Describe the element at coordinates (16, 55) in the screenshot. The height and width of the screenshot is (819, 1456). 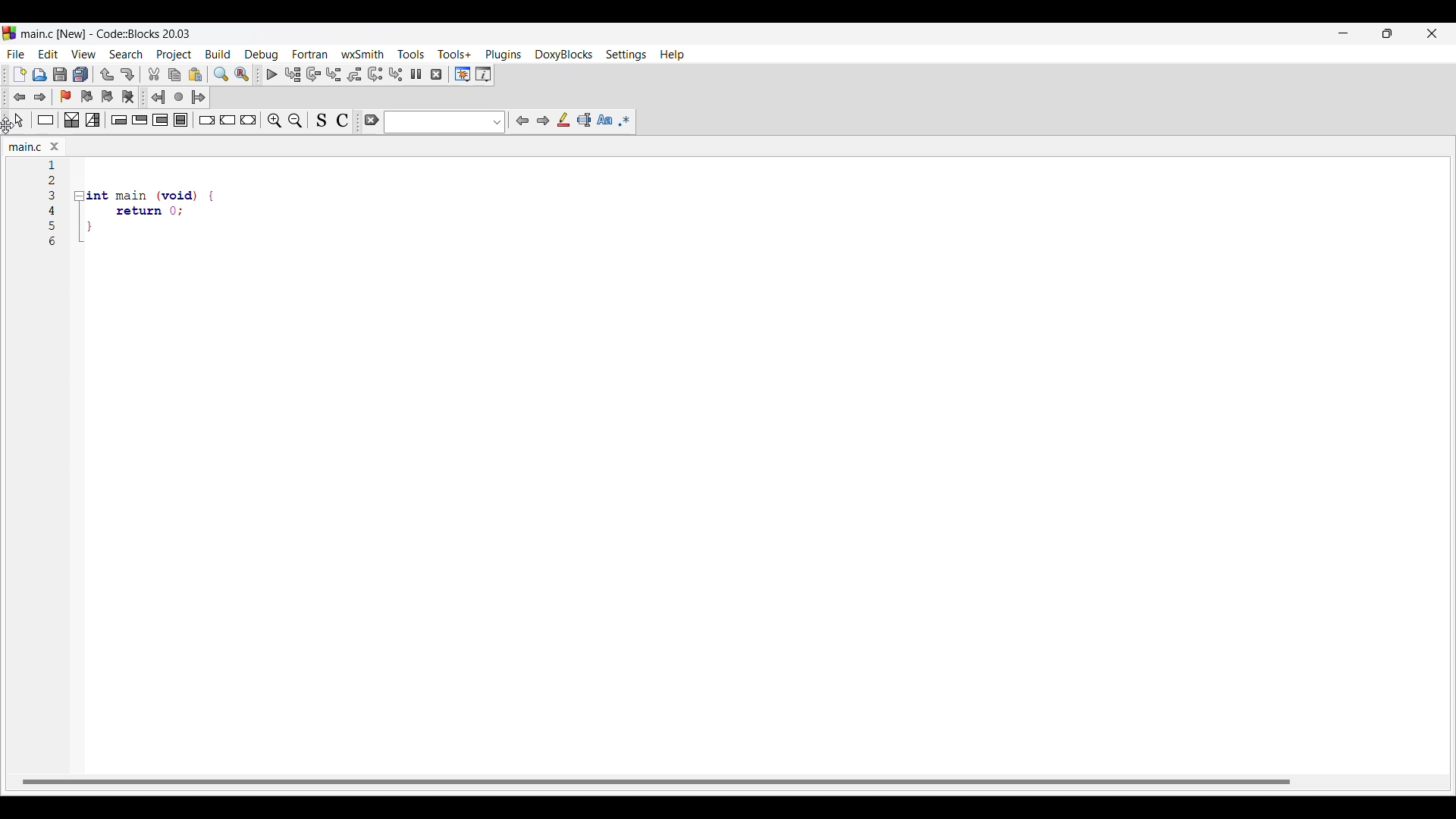
I see `File menu` at that location.